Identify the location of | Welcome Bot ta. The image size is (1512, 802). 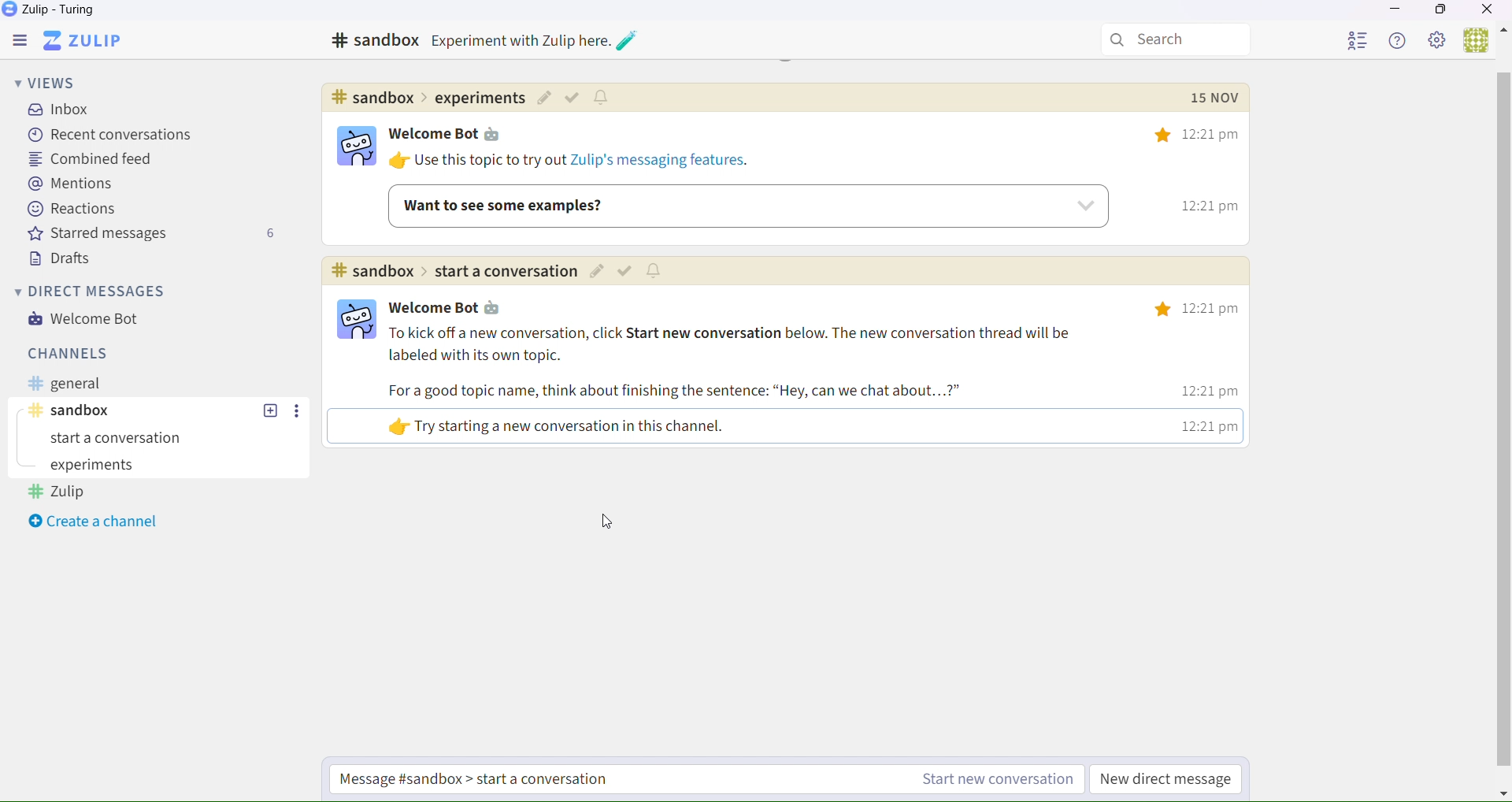
(458, 306).